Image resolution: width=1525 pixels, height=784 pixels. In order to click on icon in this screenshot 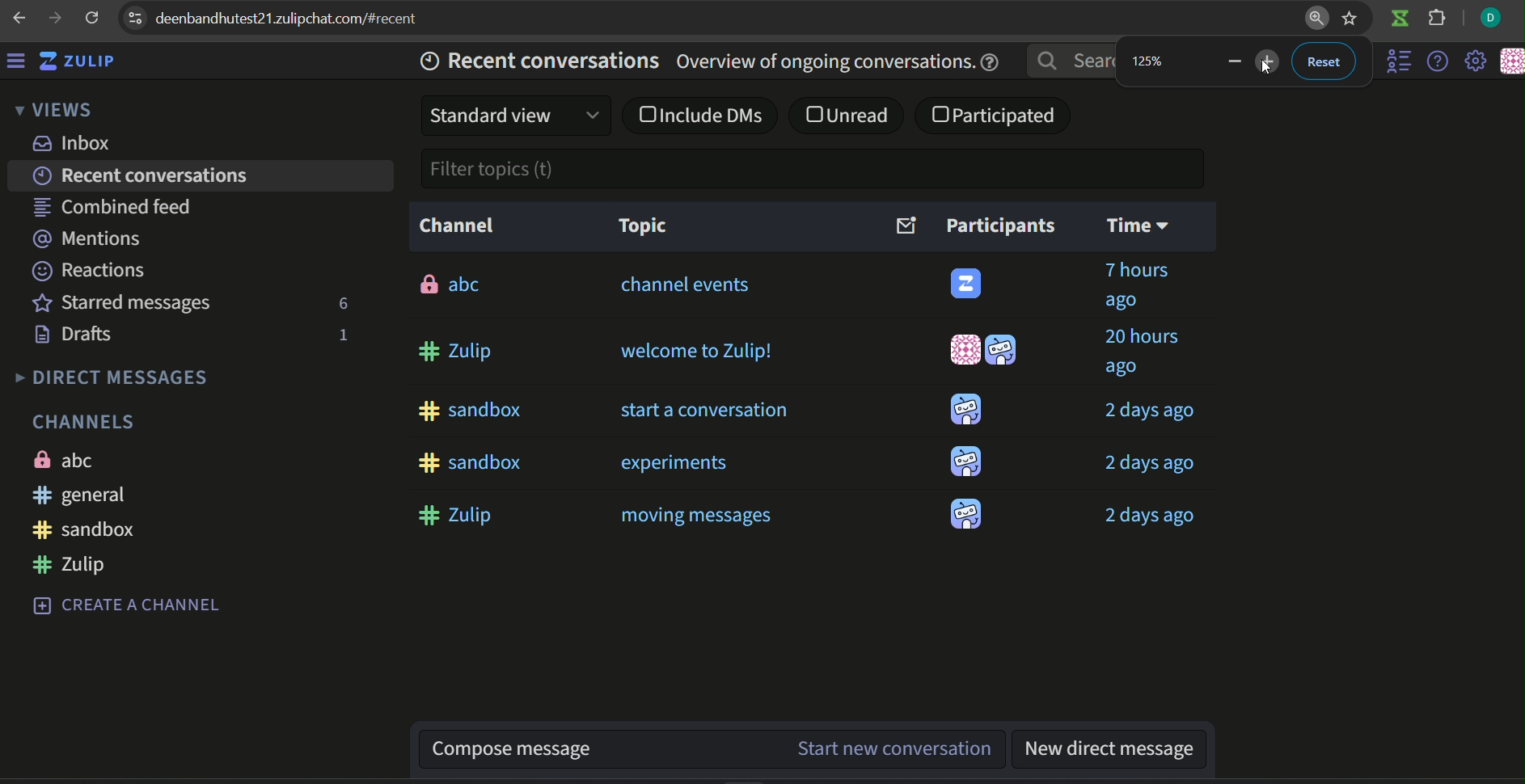, I will do `click(1510, 62)`.